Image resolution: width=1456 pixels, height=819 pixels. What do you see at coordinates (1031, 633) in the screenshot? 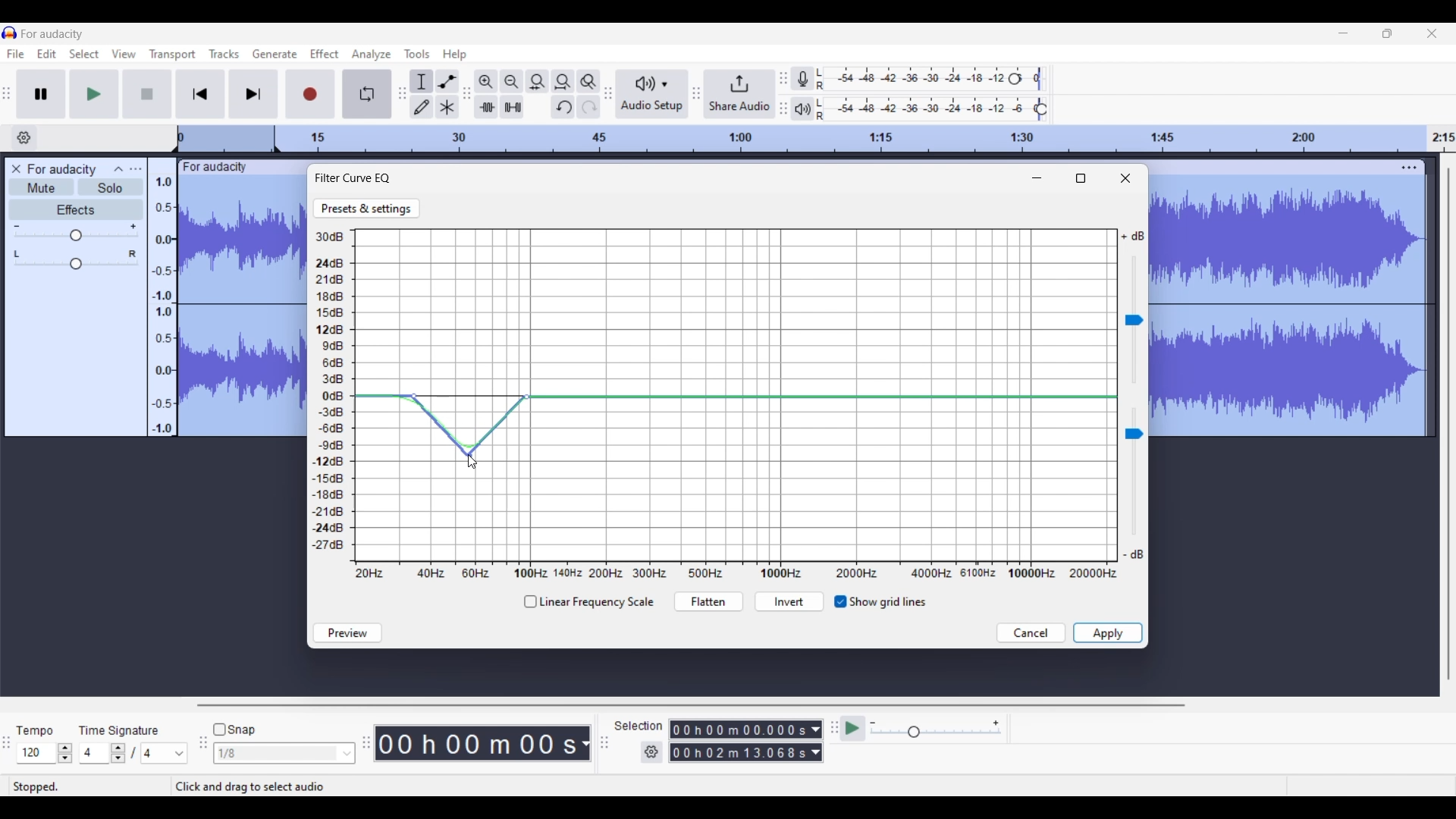
I see `Discard inputs made` at bounding box center [1031, 633].